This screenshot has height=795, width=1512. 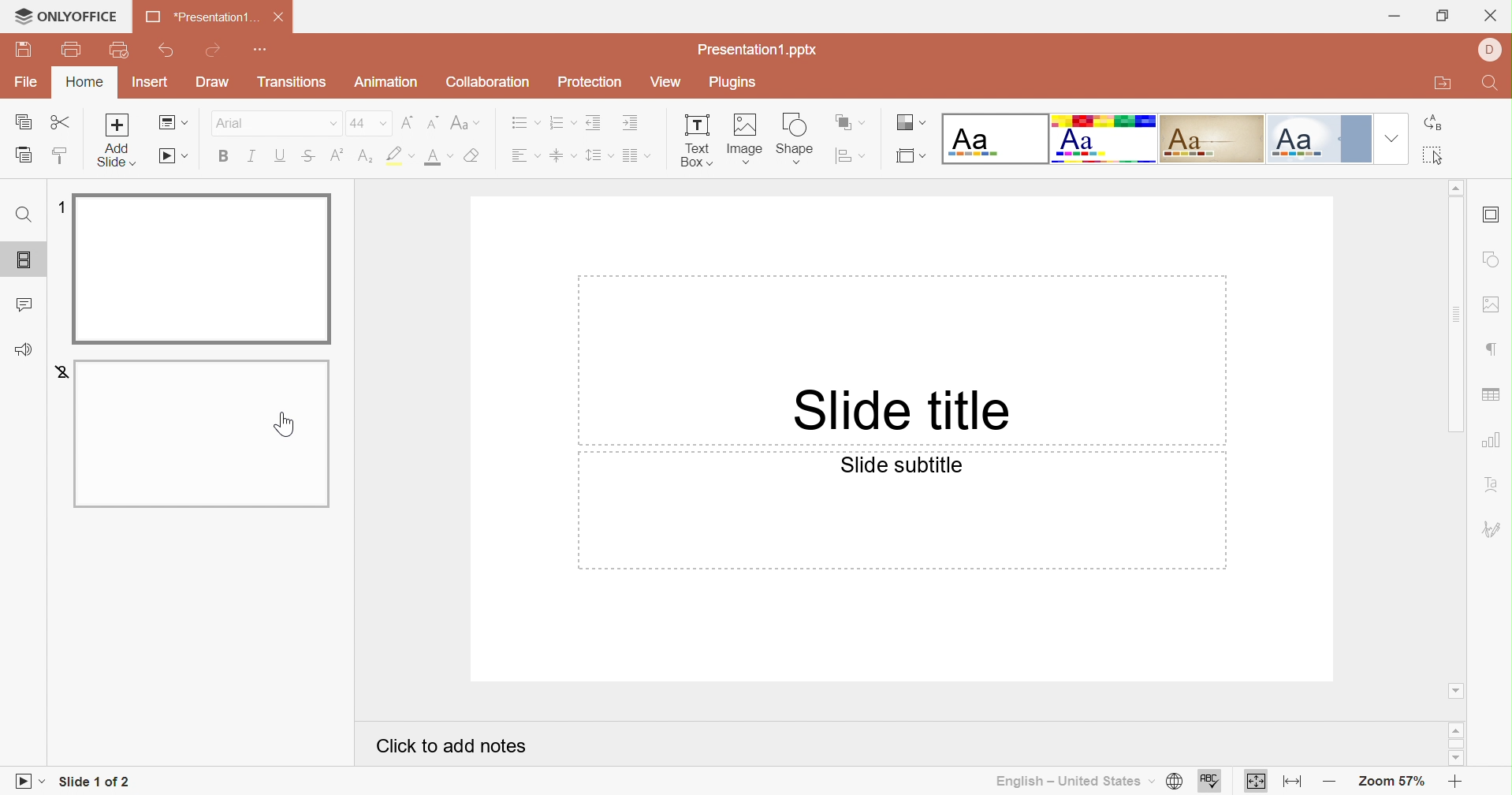 What do you see at coordinates (1175, 782) in the screenshot?
I see `Set document language` at bounding box center [1175, 782].